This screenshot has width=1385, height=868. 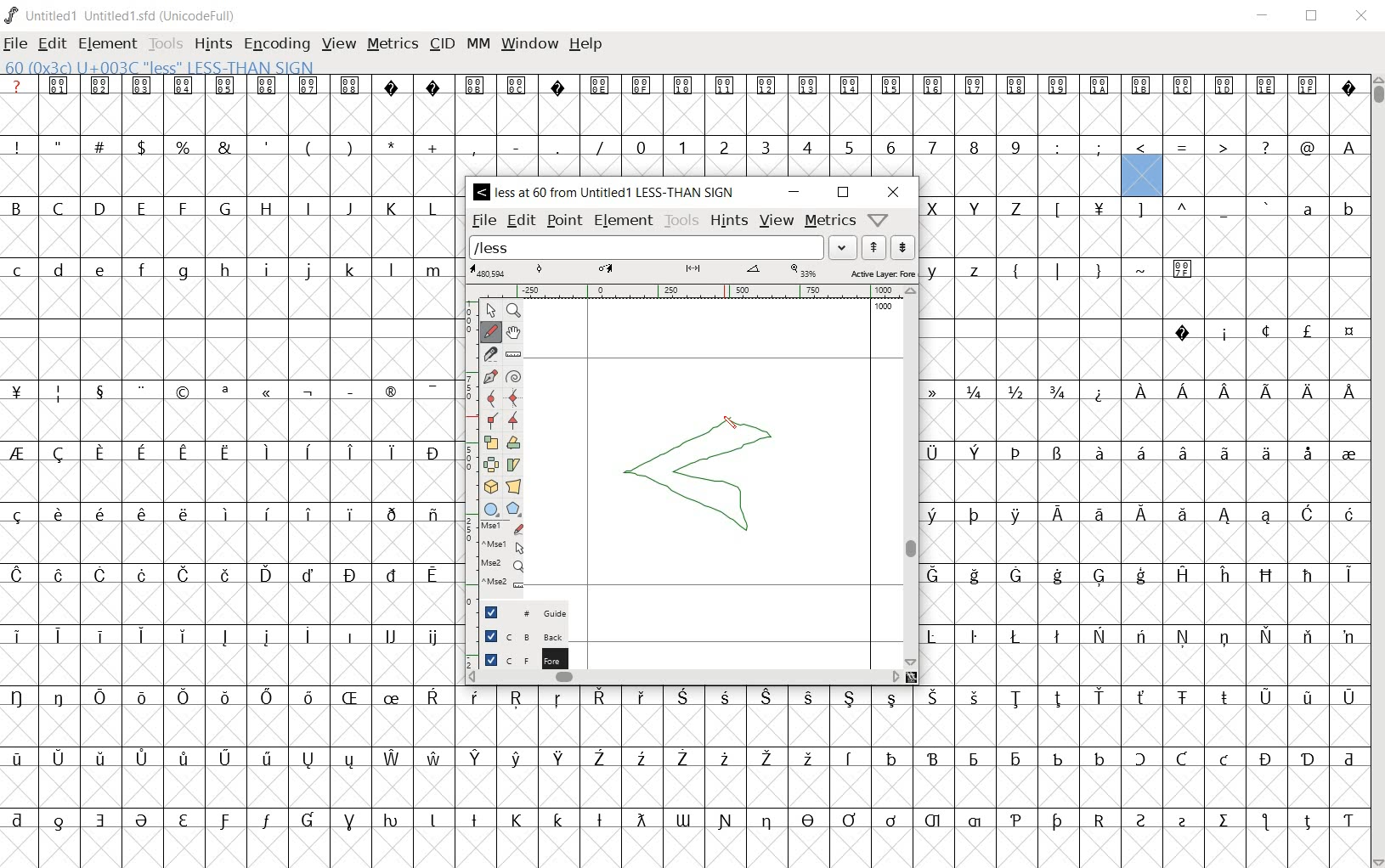 I want to click on restore down, so click(x=843, y=194).